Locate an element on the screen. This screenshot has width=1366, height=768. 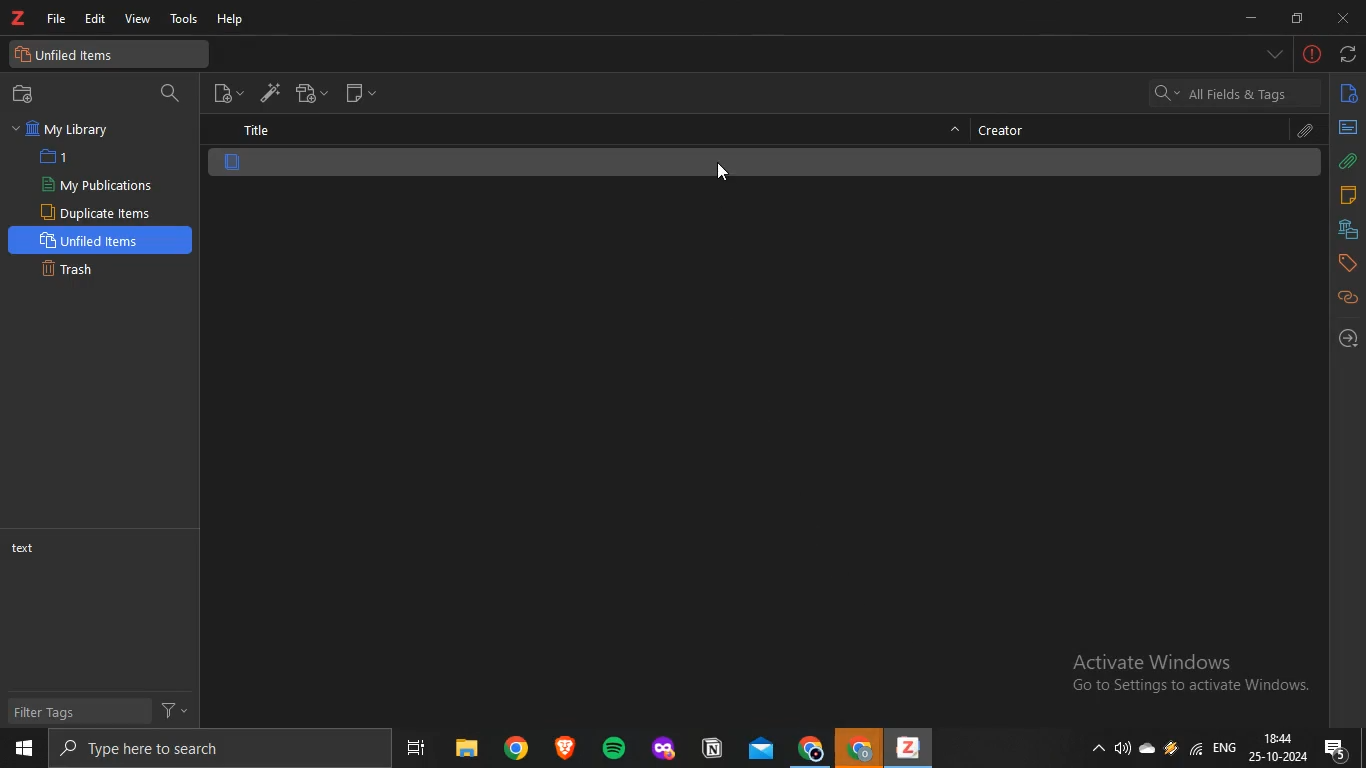
help is located at coordinates (228, 19).